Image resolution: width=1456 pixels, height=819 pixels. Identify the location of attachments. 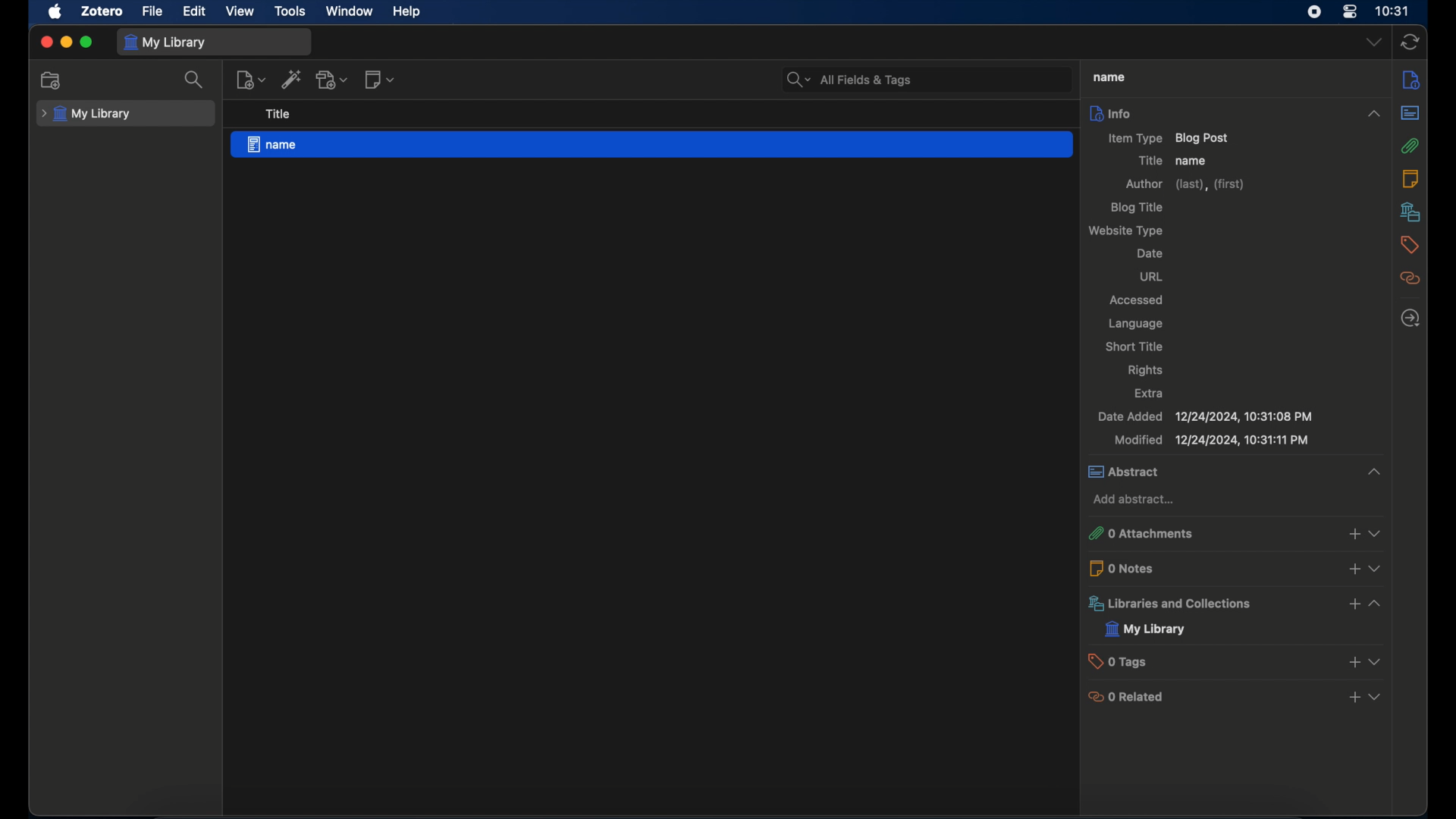
(1411, 146).